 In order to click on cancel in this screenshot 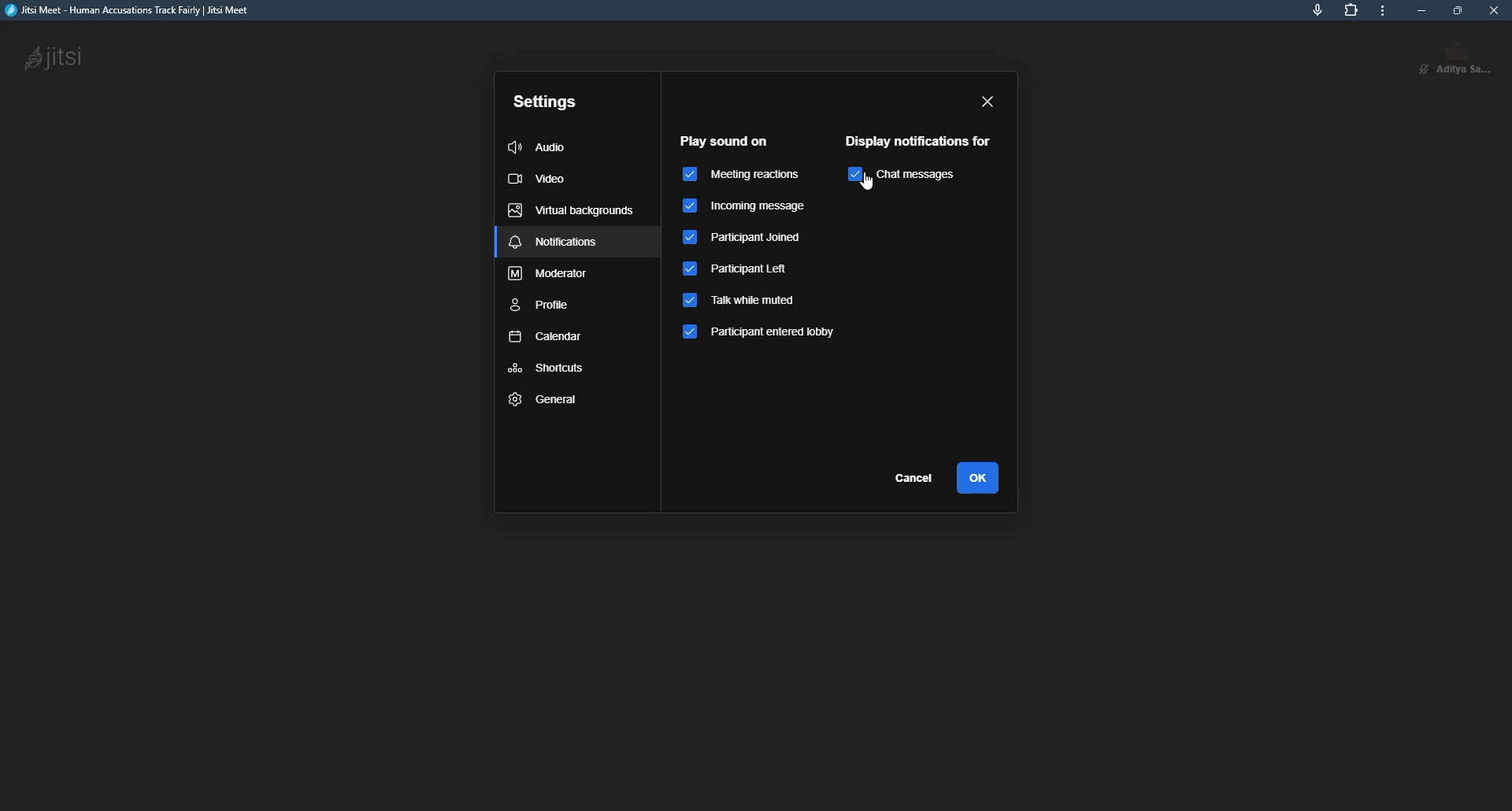, I will do `click(912, 476)`.